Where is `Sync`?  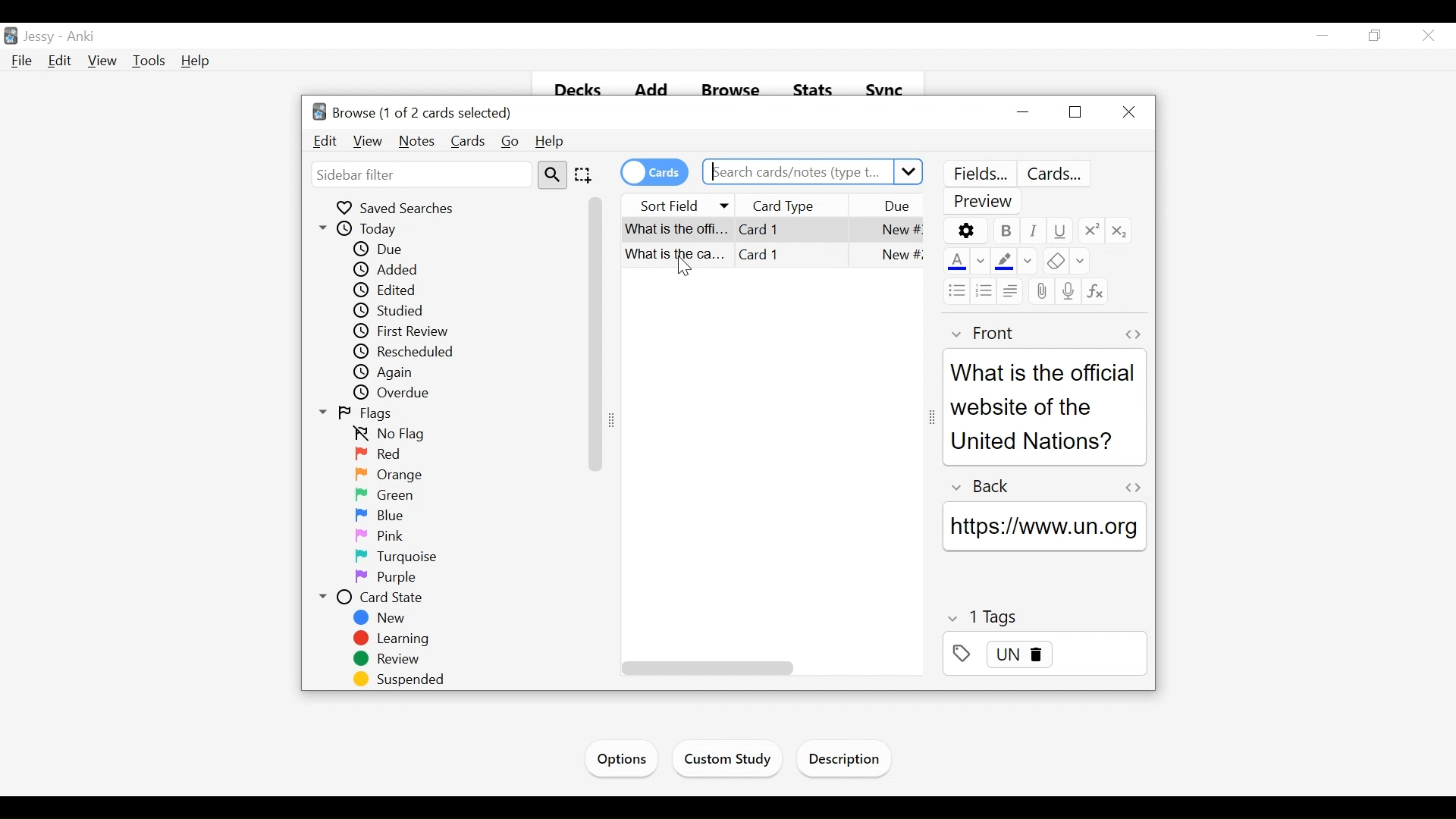 Sync is located at coordinates (886, 92).